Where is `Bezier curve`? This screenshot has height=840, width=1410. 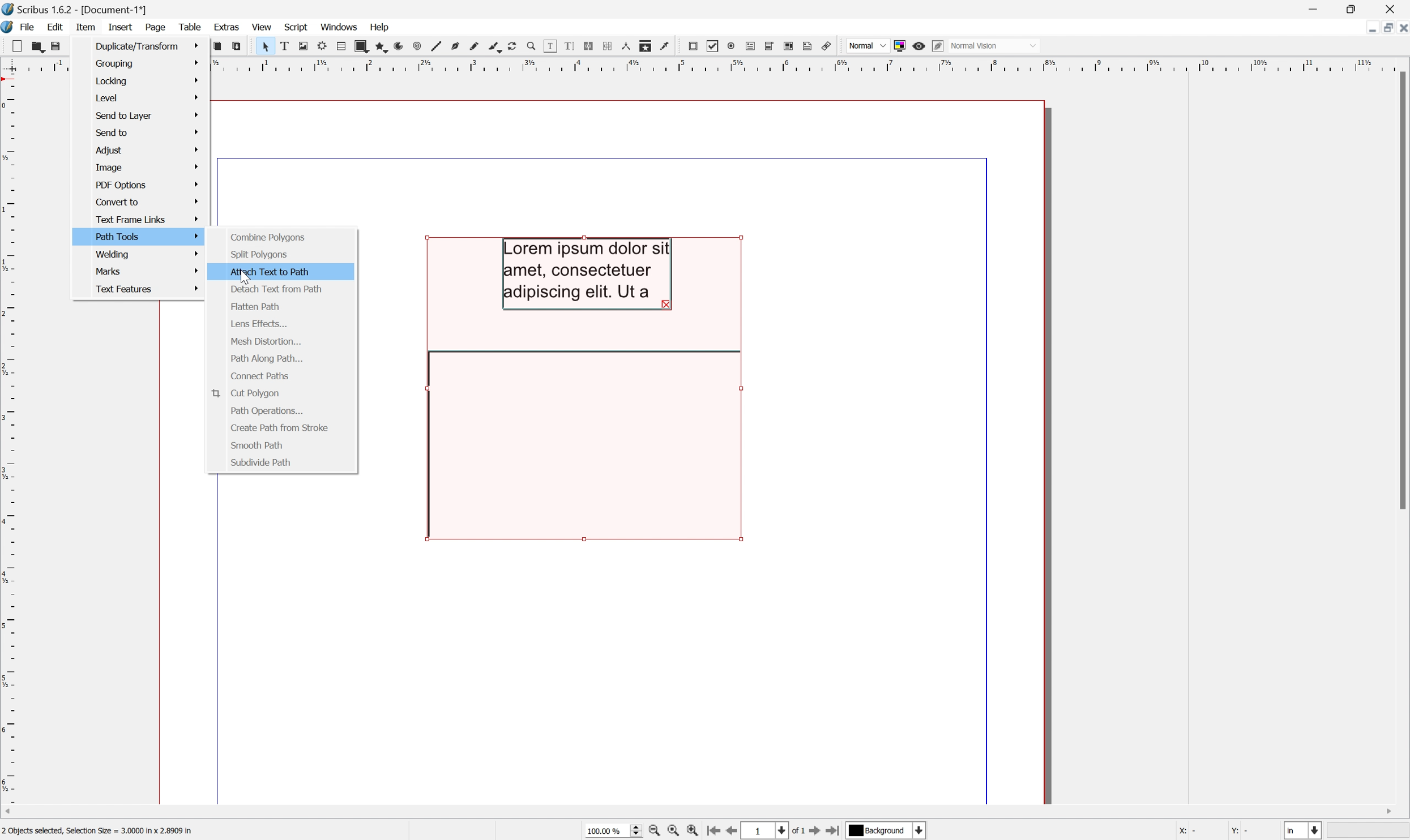
Bezier curve is located at coordinates (452, 48).